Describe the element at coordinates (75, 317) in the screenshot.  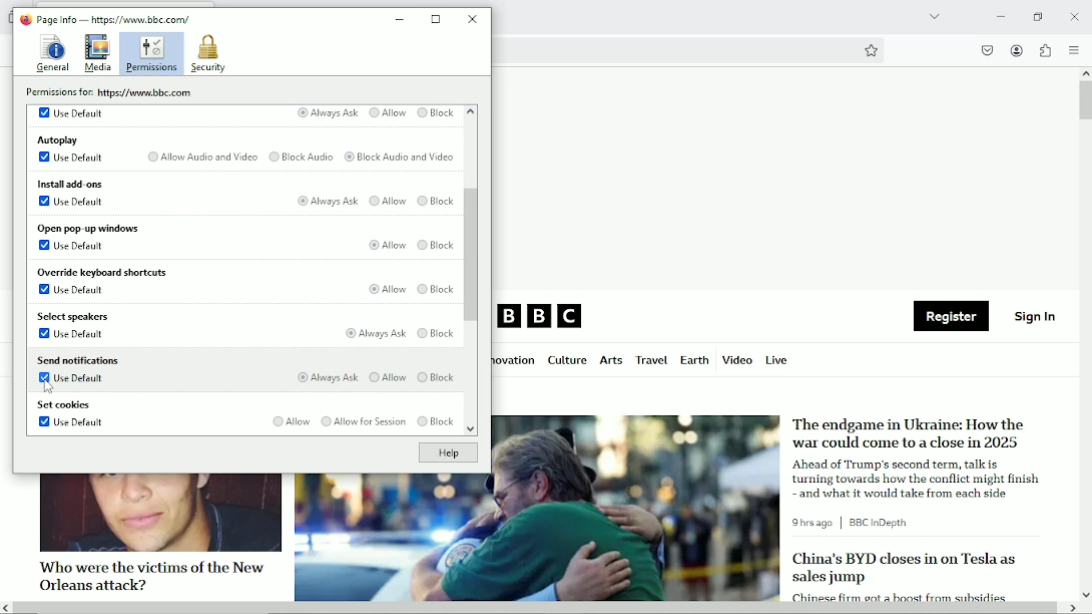
I see `Select speakers` at that location.